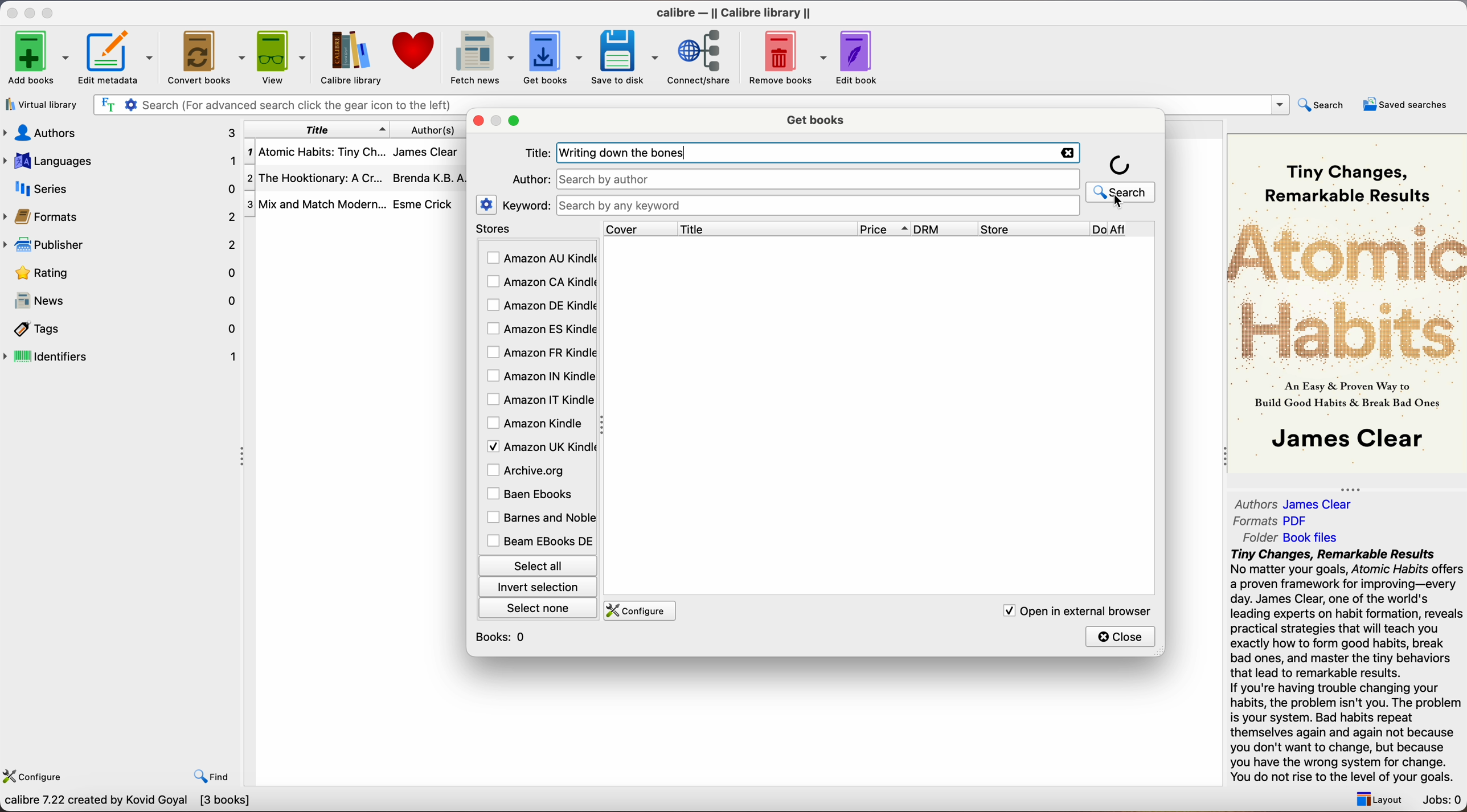 The width and height of the screenshot is (1467, 812). I want to click on donate, so click(415, 51).